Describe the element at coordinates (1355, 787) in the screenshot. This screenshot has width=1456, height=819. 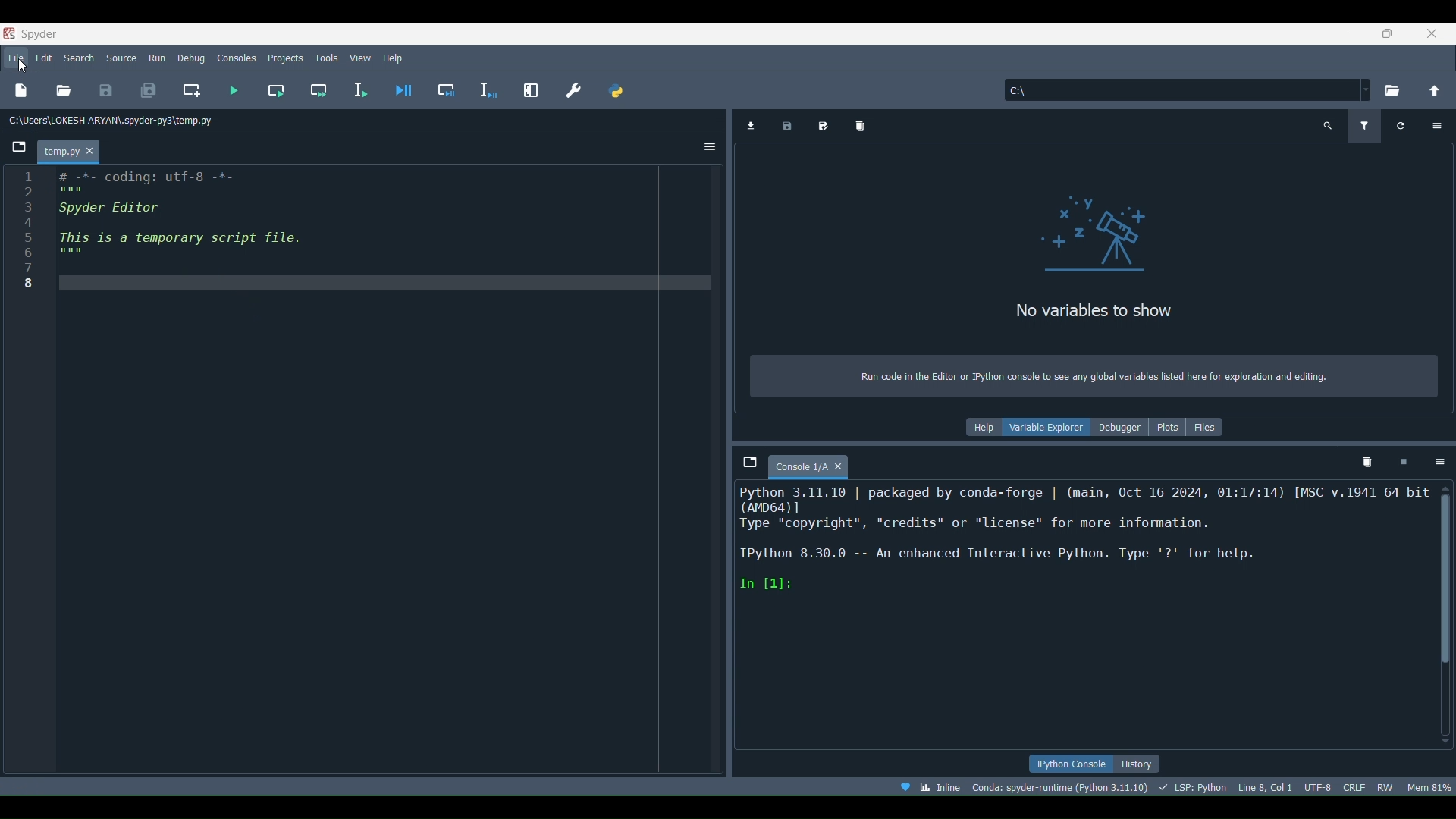
I see `File EOL Status` at that location.